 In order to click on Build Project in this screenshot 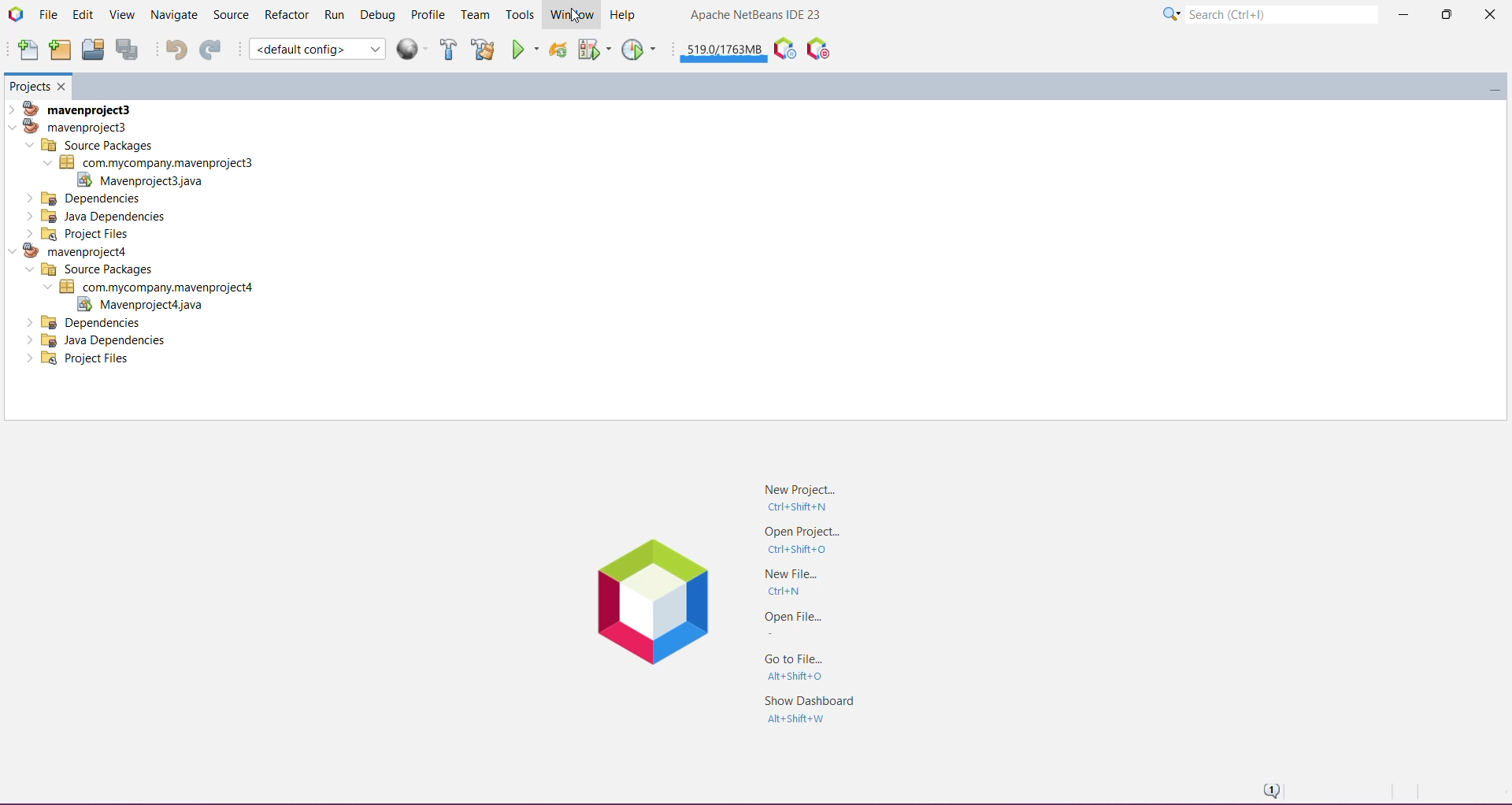, I will do `click(449, 49)`.